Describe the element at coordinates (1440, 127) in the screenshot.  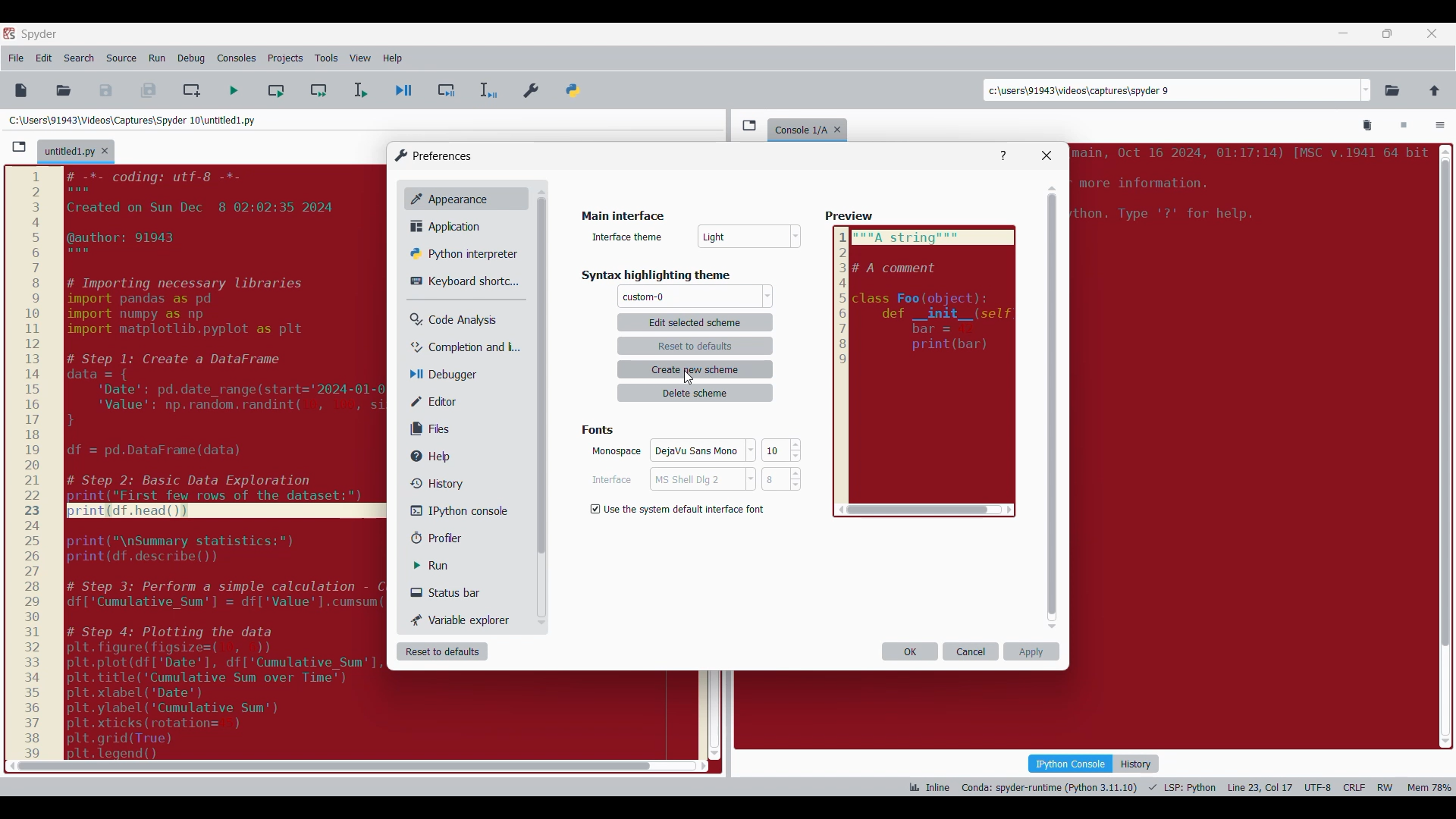
I see `Options` at that location.